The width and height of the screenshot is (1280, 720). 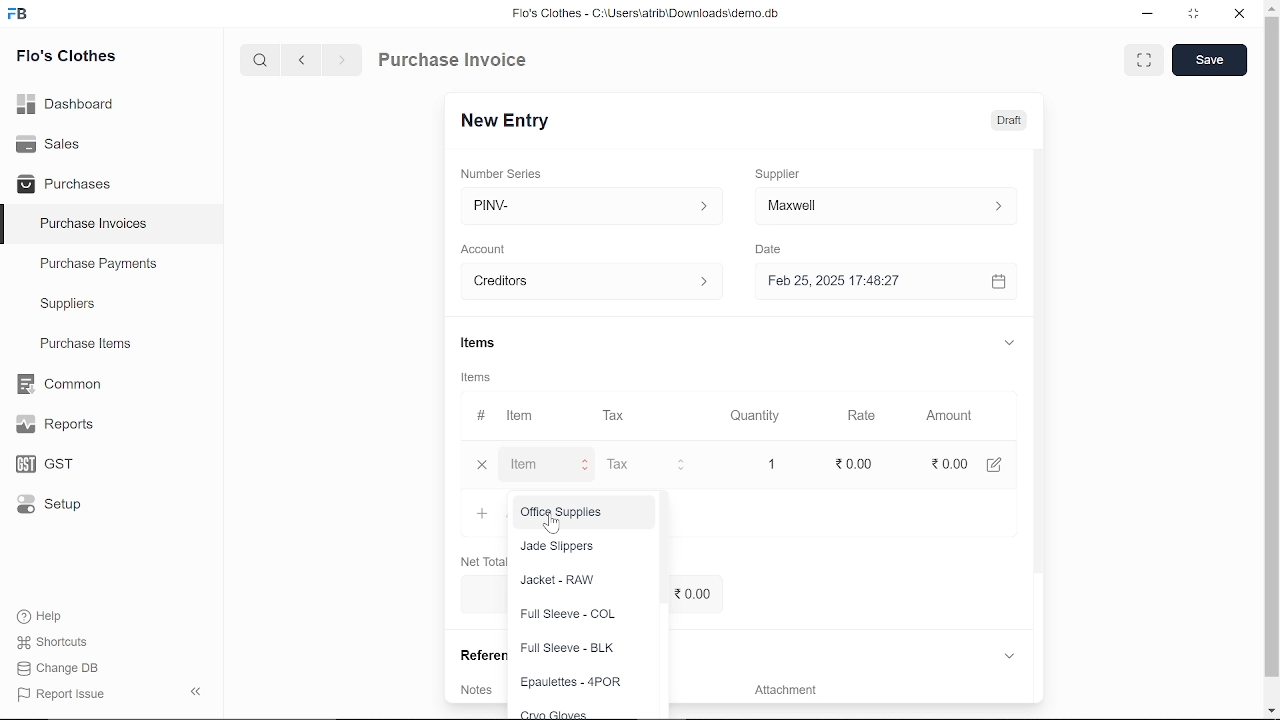 I want to click on restore down, so click(x=1193, y=14).